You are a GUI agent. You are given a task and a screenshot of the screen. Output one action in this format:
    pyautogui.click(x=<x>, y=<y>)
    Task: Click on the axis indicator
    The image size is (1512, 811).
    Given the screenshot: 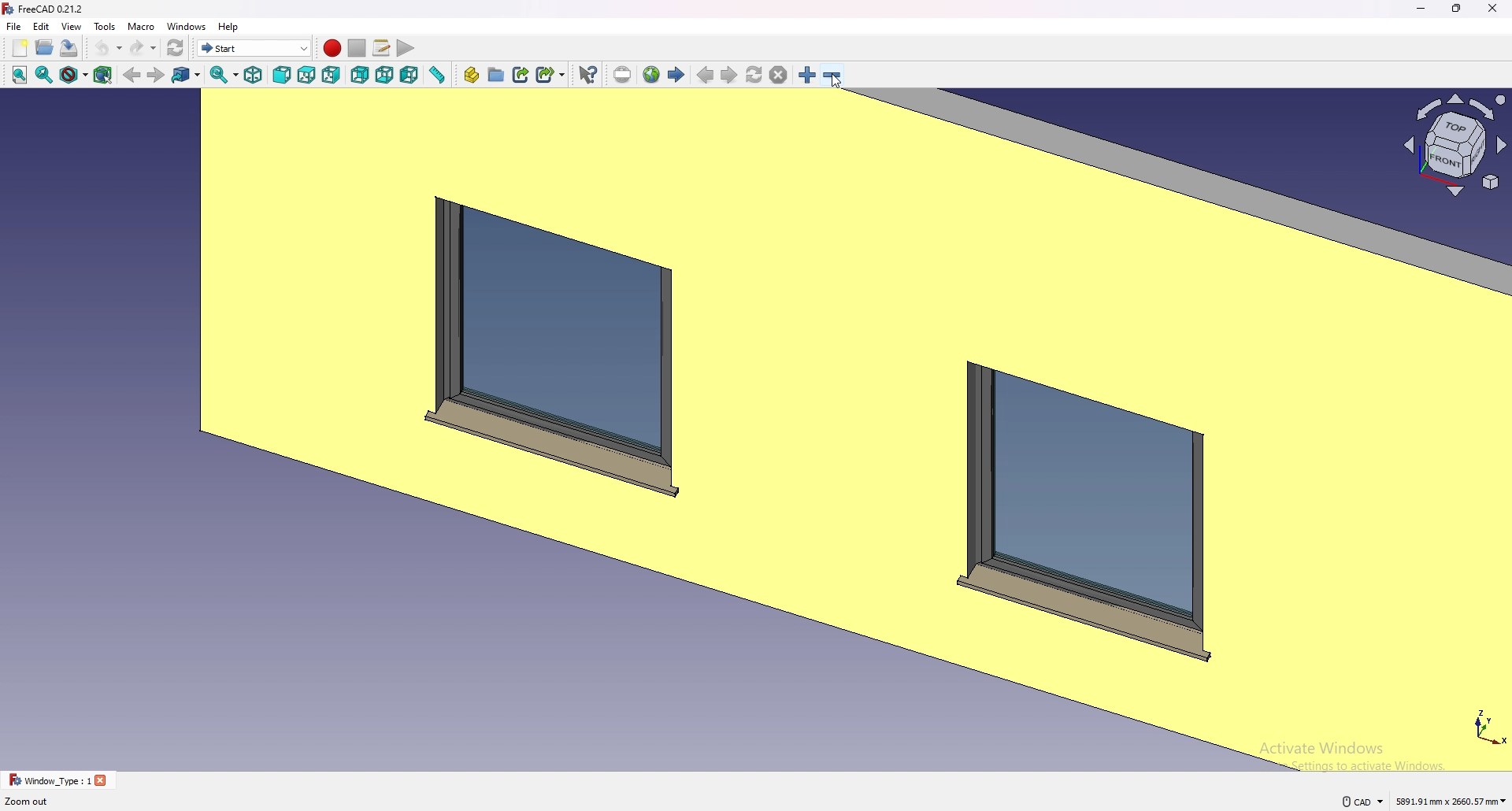 What is the action you would take?
    pyautogui.click(x=1453, y=144)
    